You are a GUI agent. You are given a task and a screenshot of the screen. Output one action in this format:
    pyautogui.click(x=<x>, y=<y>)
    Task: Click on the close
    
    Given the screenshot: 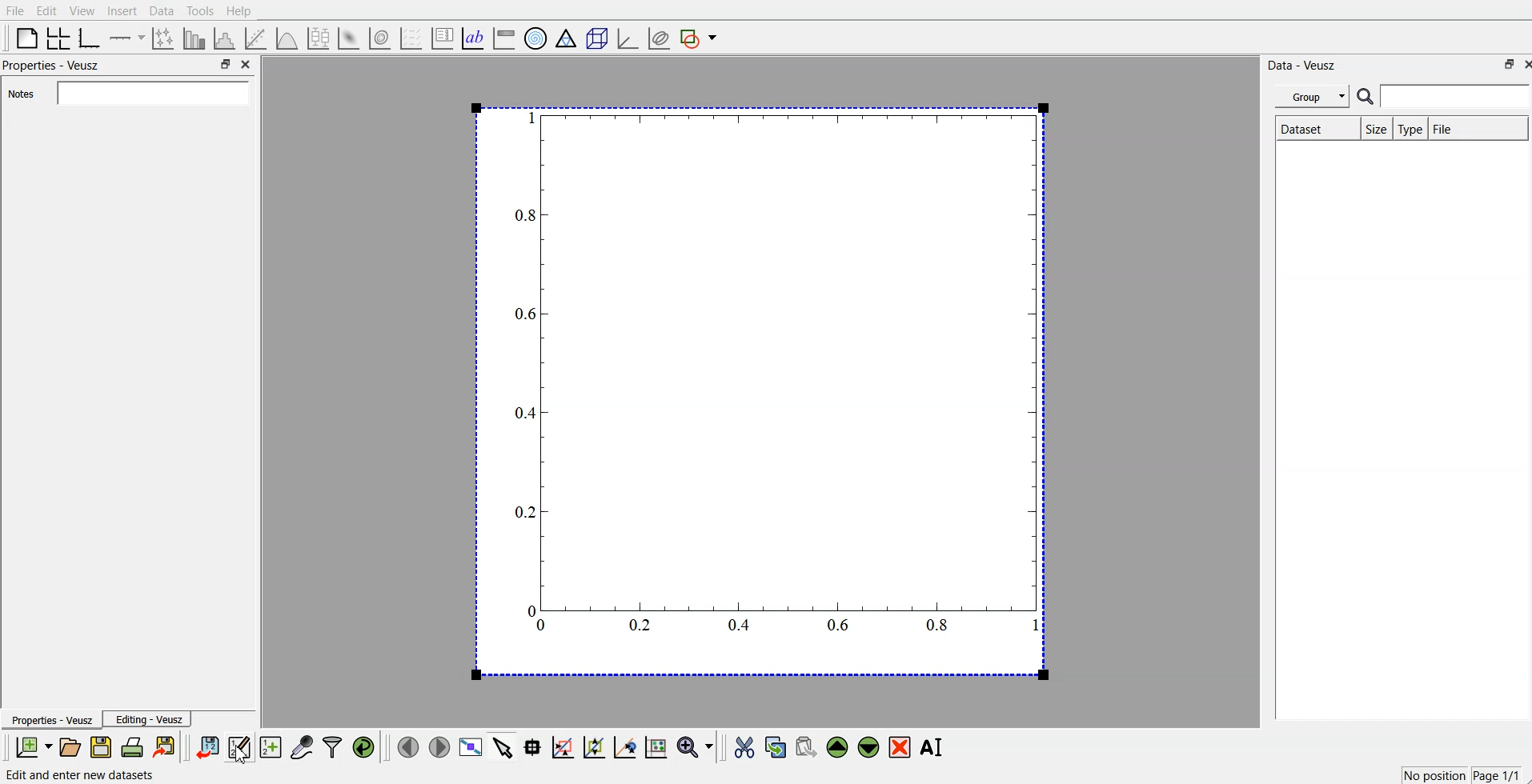 What is the action you would take?
    pyautogui.click(x=247, y=62)
    